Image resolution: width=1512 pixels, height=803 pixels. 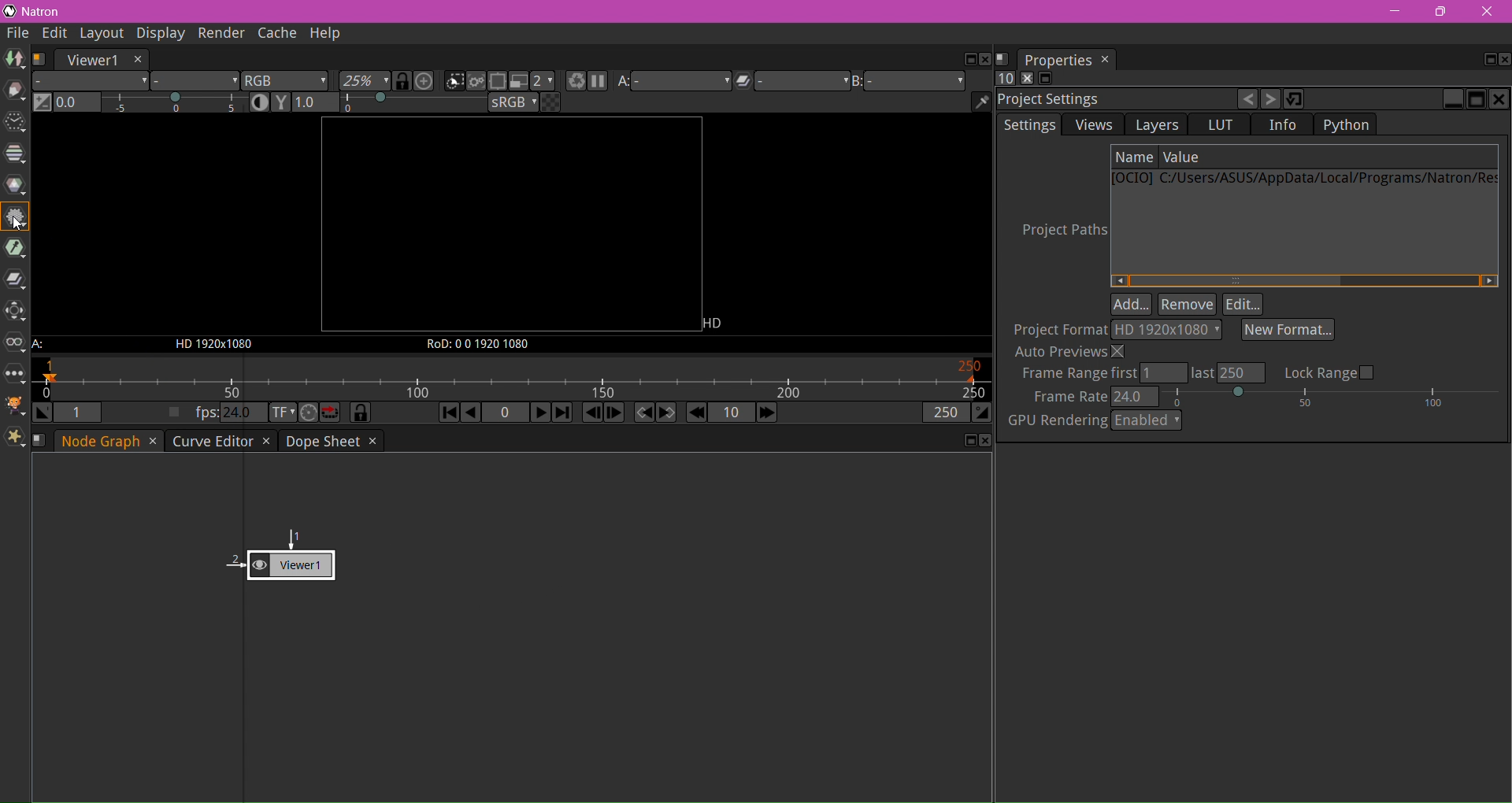 I want to click on Behavior to adopt when the playback hit the end of the range, so click(x=331, y=413).